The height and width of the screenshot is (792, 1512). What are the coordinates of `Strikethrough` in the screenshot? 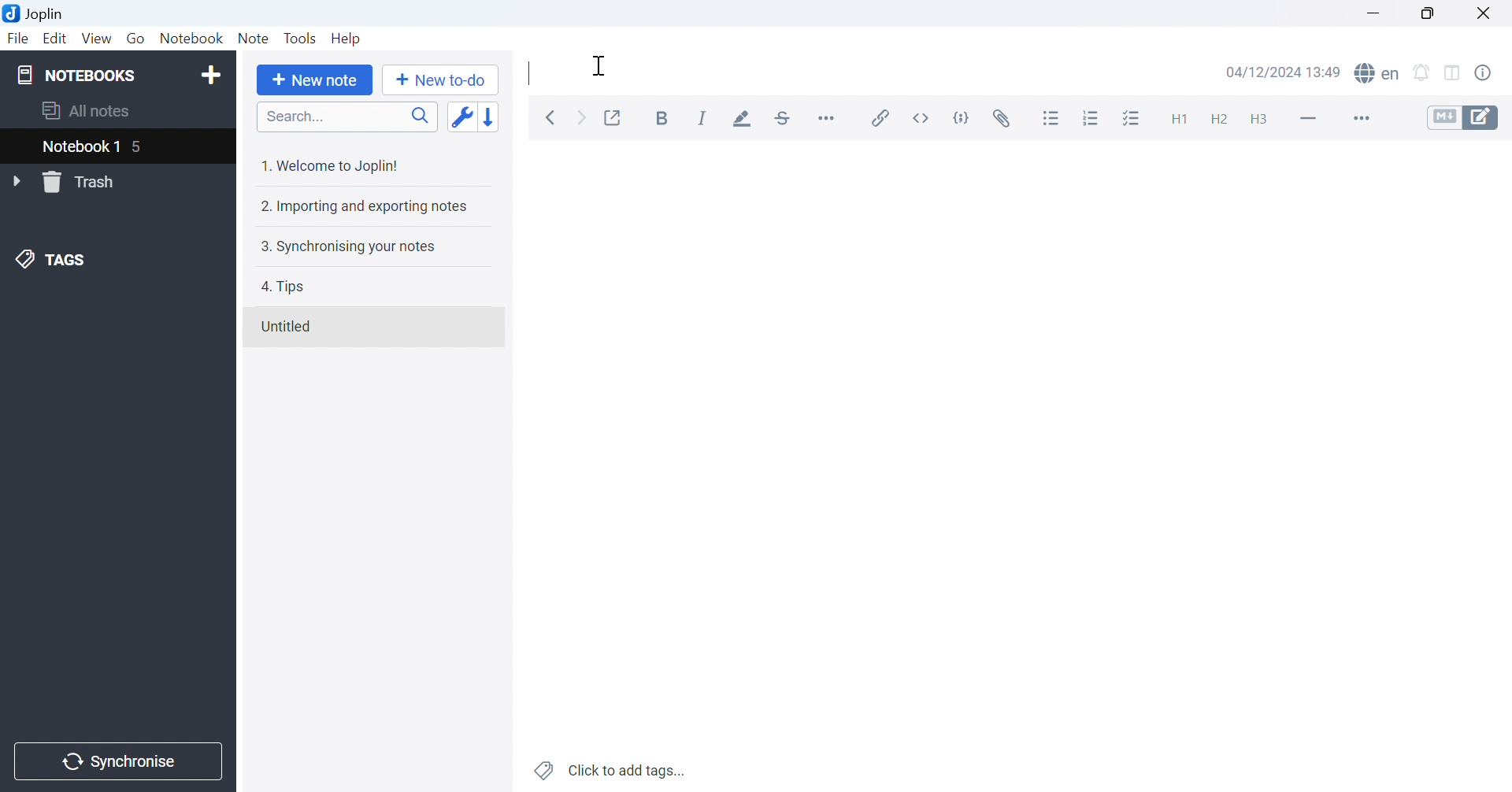 It's located at (784, 117).